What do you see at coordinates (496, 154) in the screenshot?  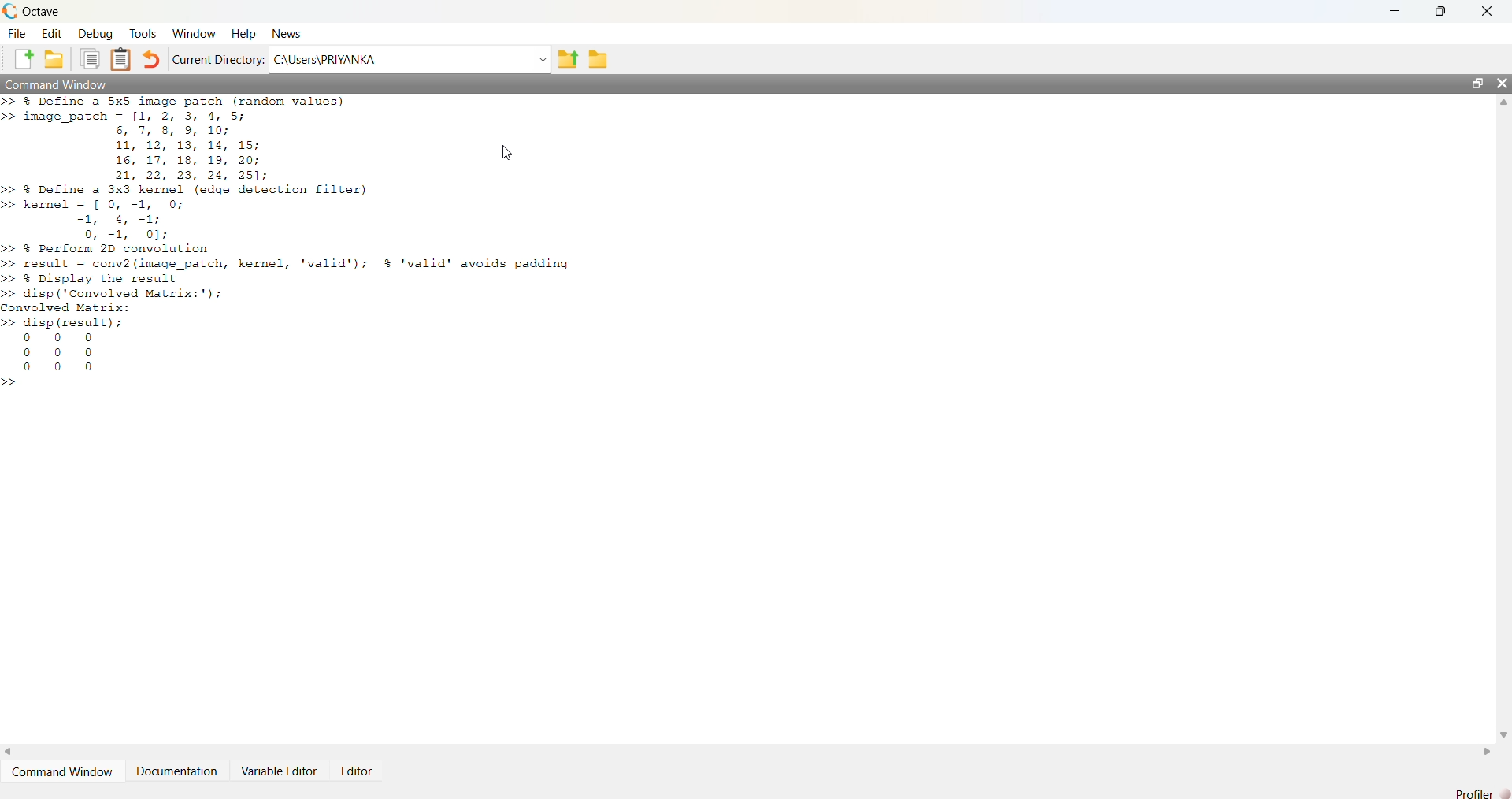 I see `Cursor` at bounding box center [496, 154].